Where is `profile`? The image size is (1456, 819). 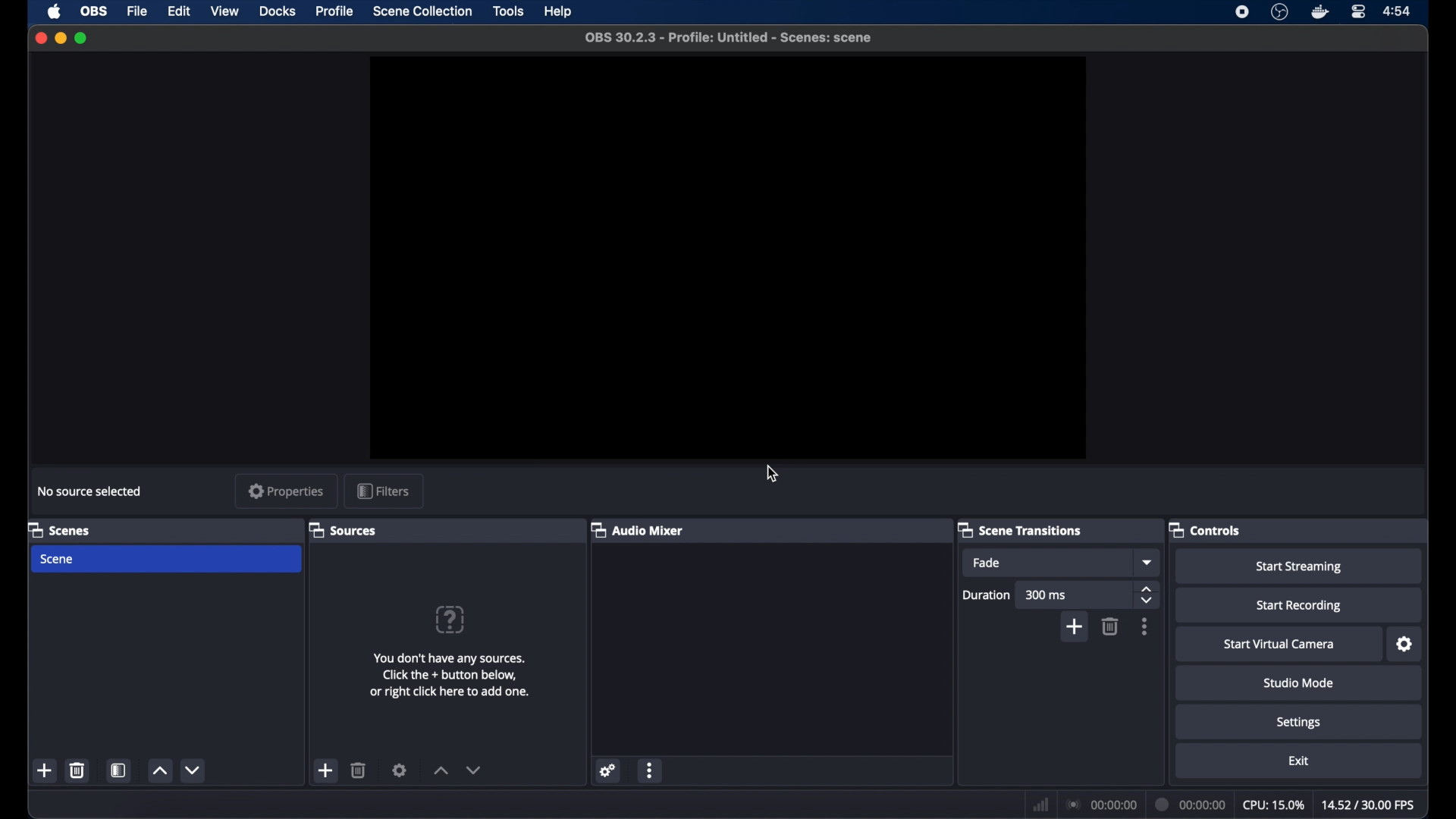
profile is located at coordinates (334, 12).